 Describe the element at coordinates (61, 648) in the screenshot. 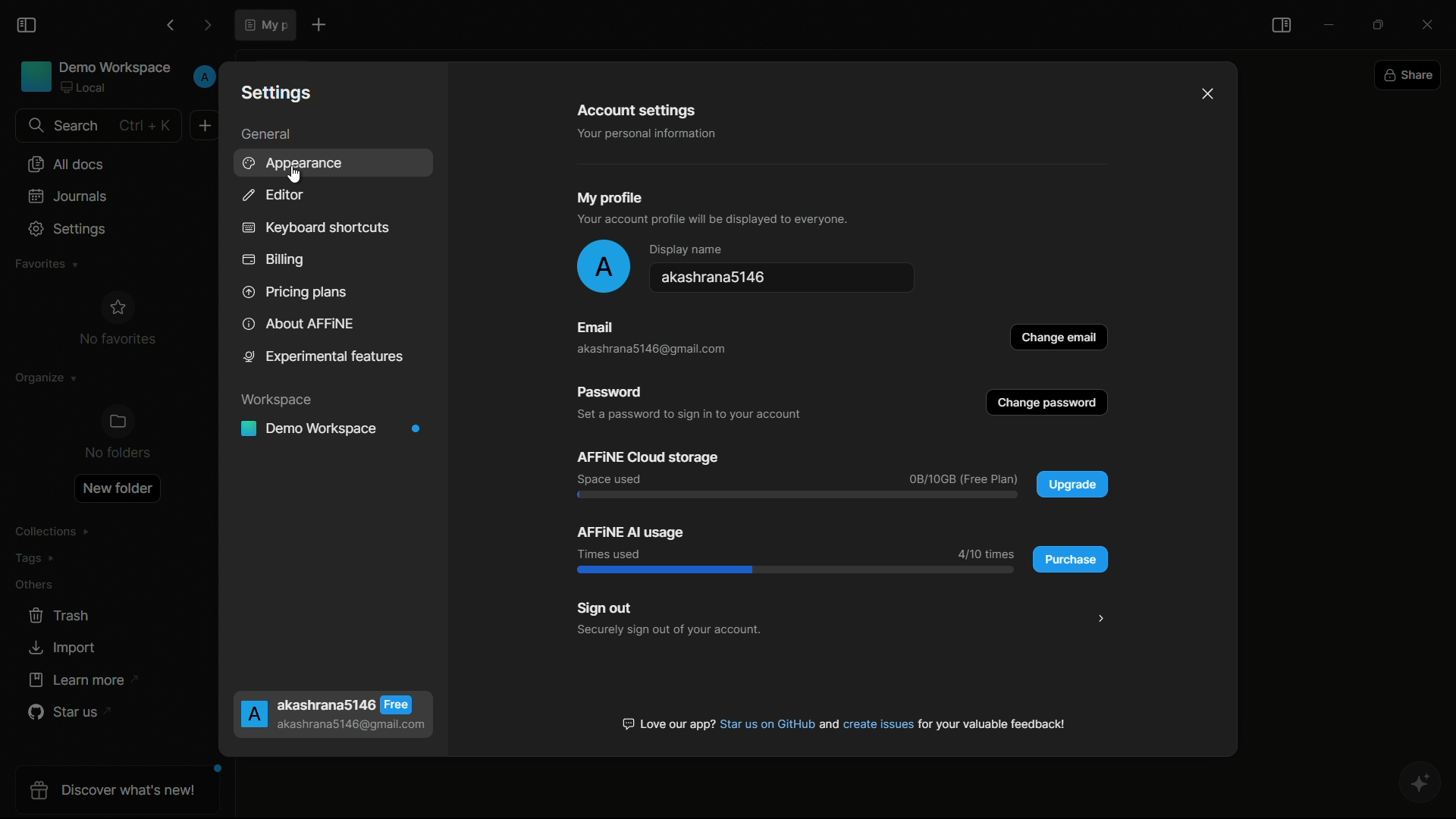

I see `import` at that location.